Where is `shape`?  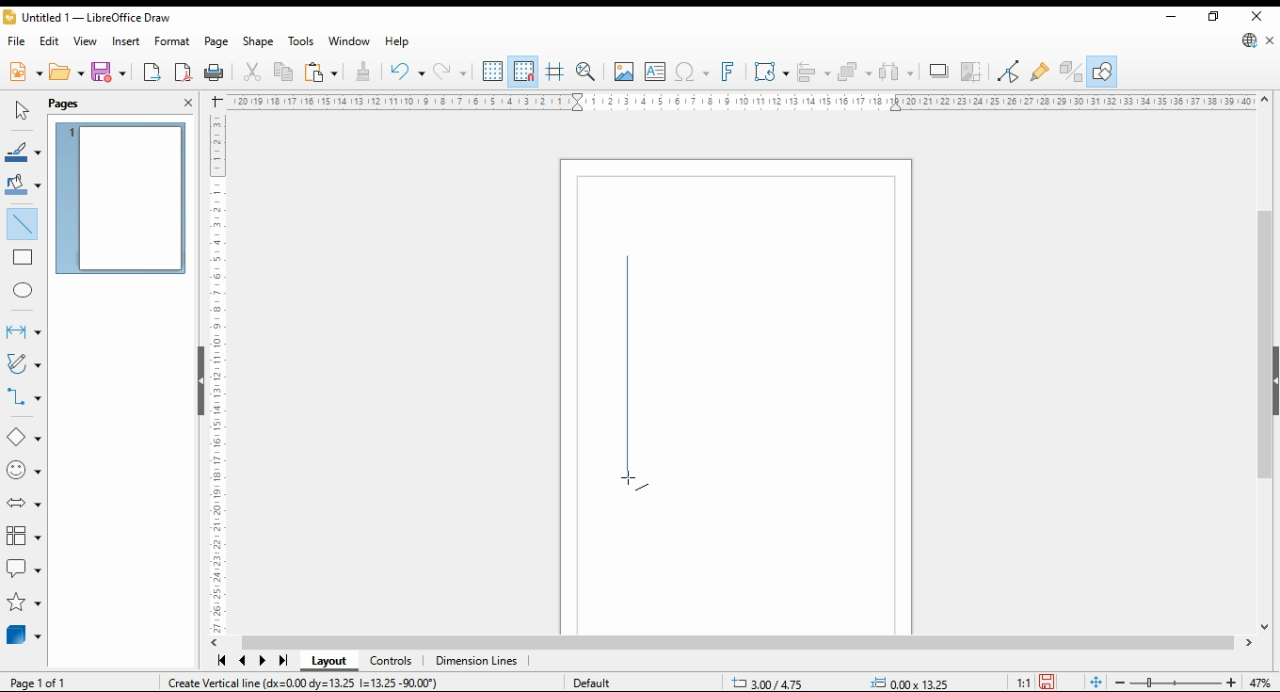
shape is located at coordinates (258, 42).